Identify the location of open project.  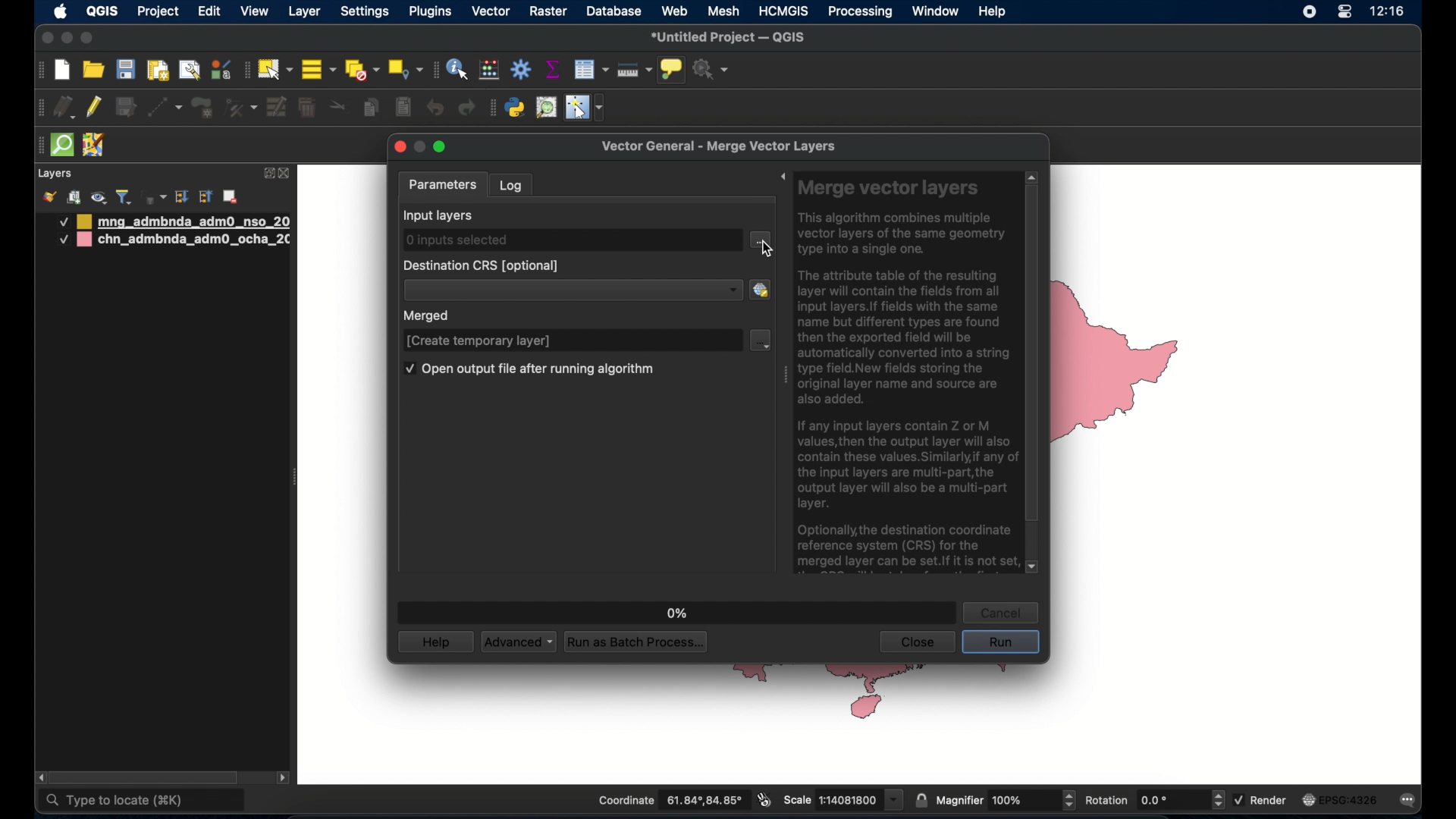
(95, 71).